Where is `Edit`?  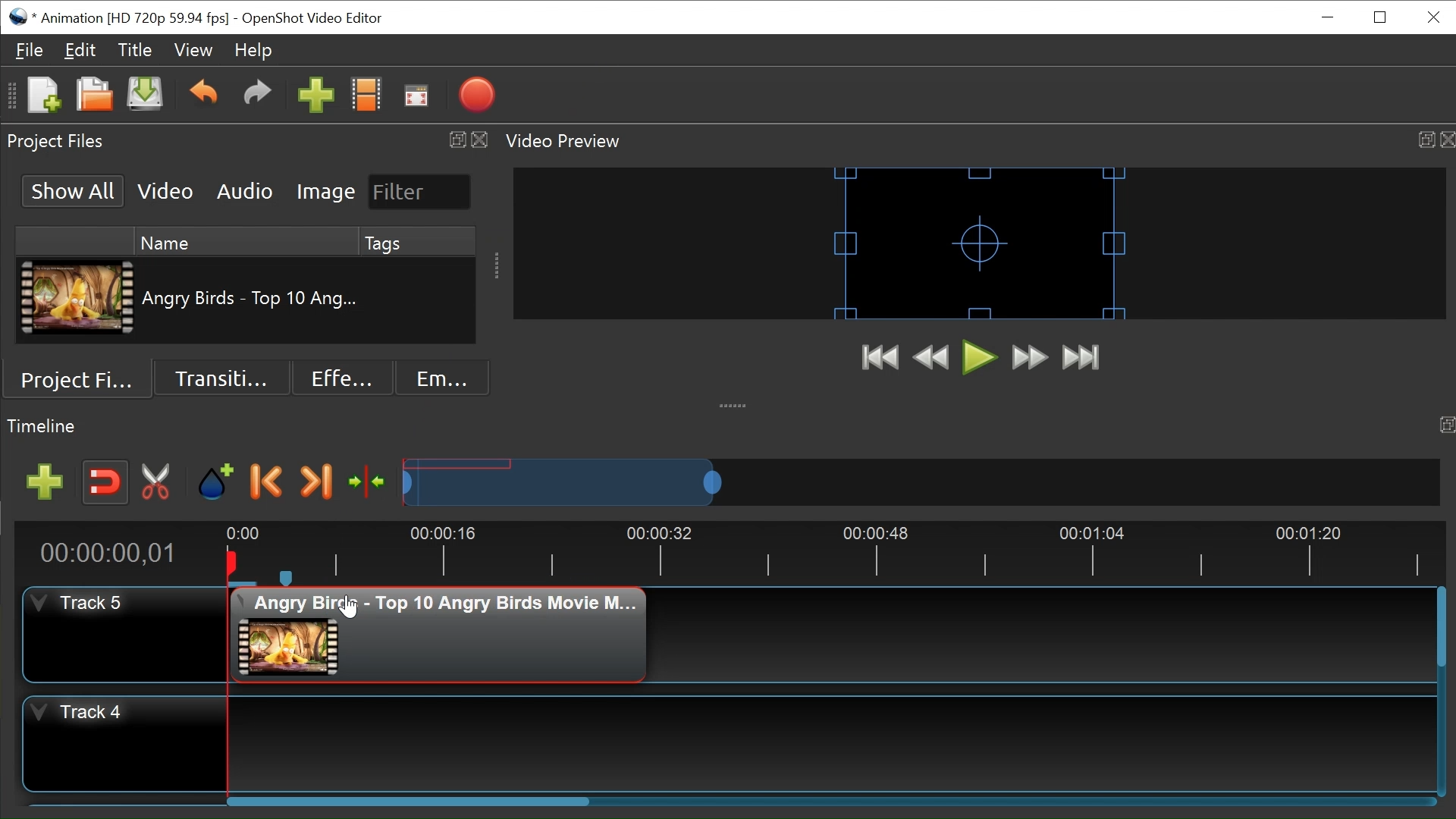
Edit is located at coordinates (80, 52).